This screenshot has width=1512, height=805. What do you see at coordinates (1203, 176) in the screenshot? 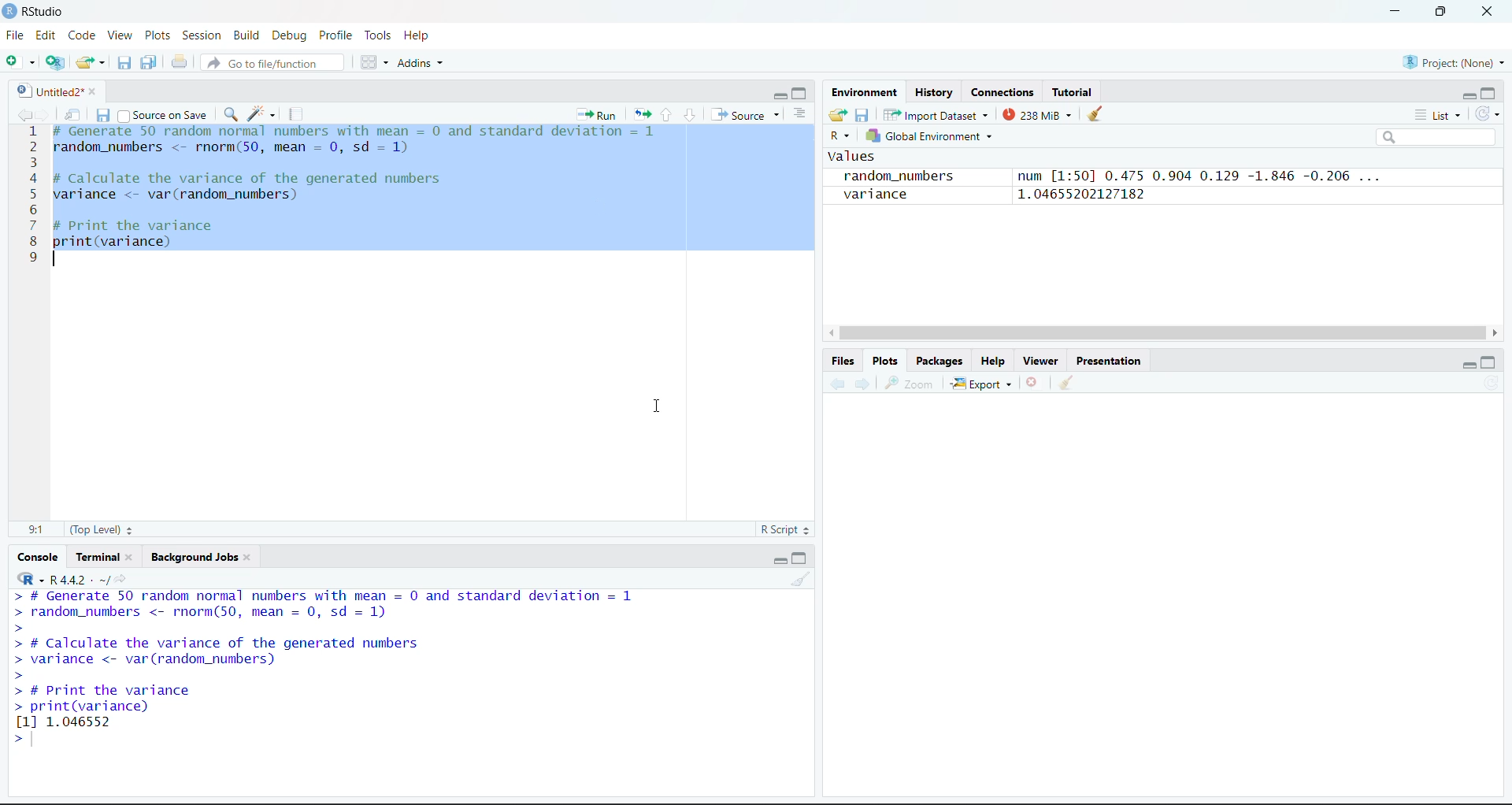
I see `num [1:50] 0.475 0.904 0.129 -1.846 -0.206 ...` at bounding box center [1203, 176].